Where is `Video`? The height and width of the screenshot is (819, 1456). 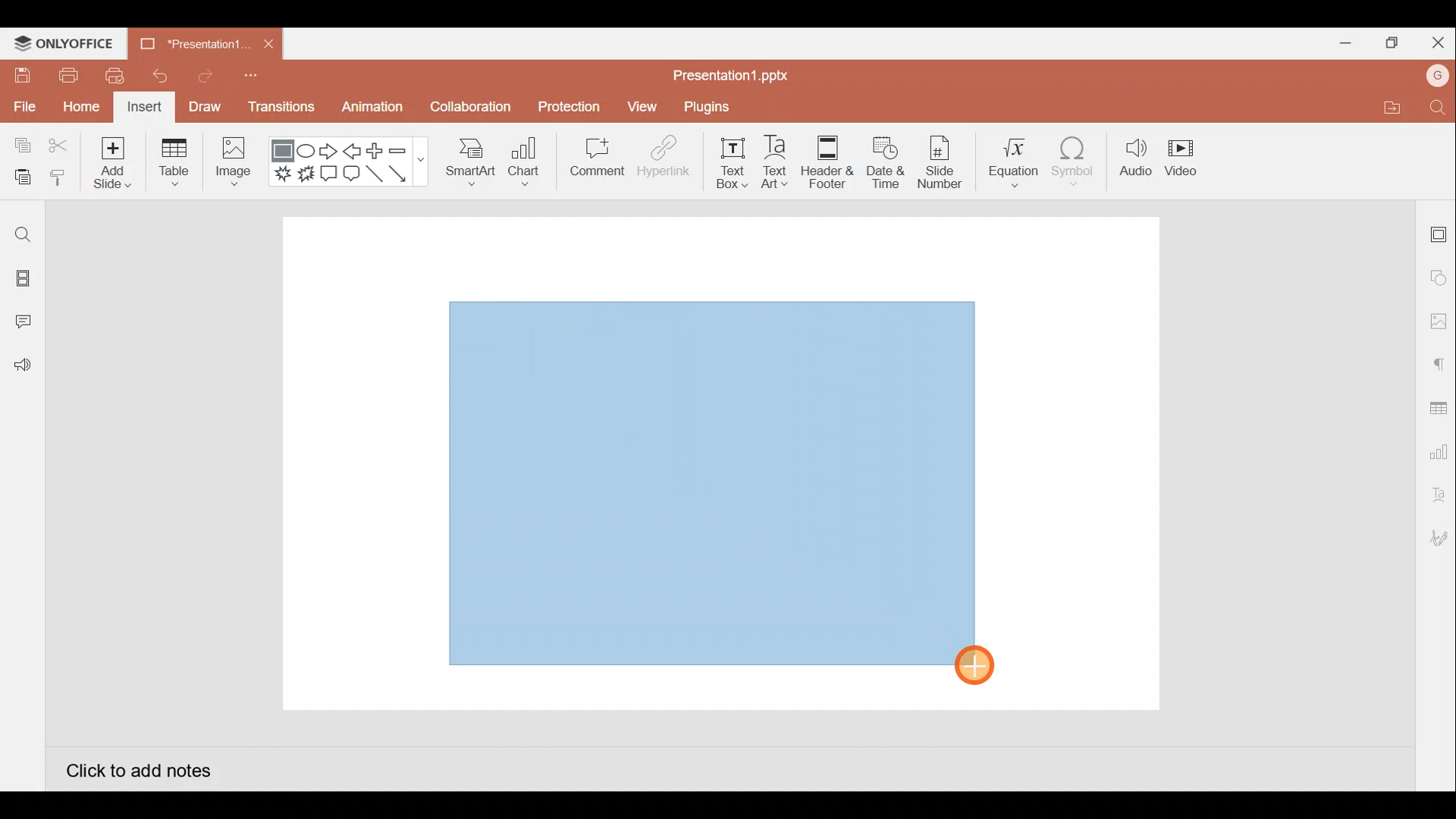
Video is located at coordinates (1183, 155).